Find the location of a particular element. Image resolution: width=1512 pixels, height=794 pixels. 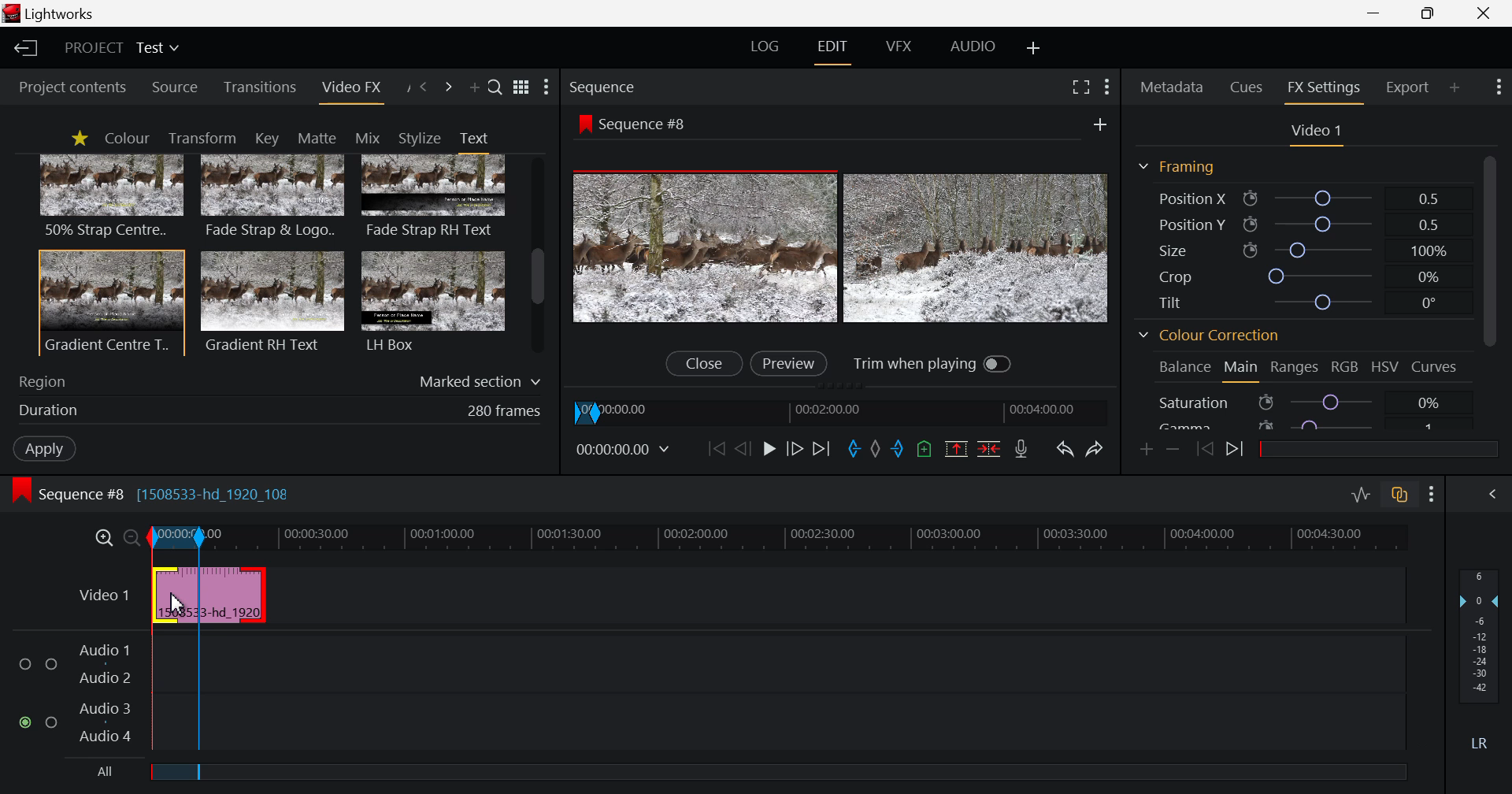

Full Screen is located at coordinates (1082, 87).